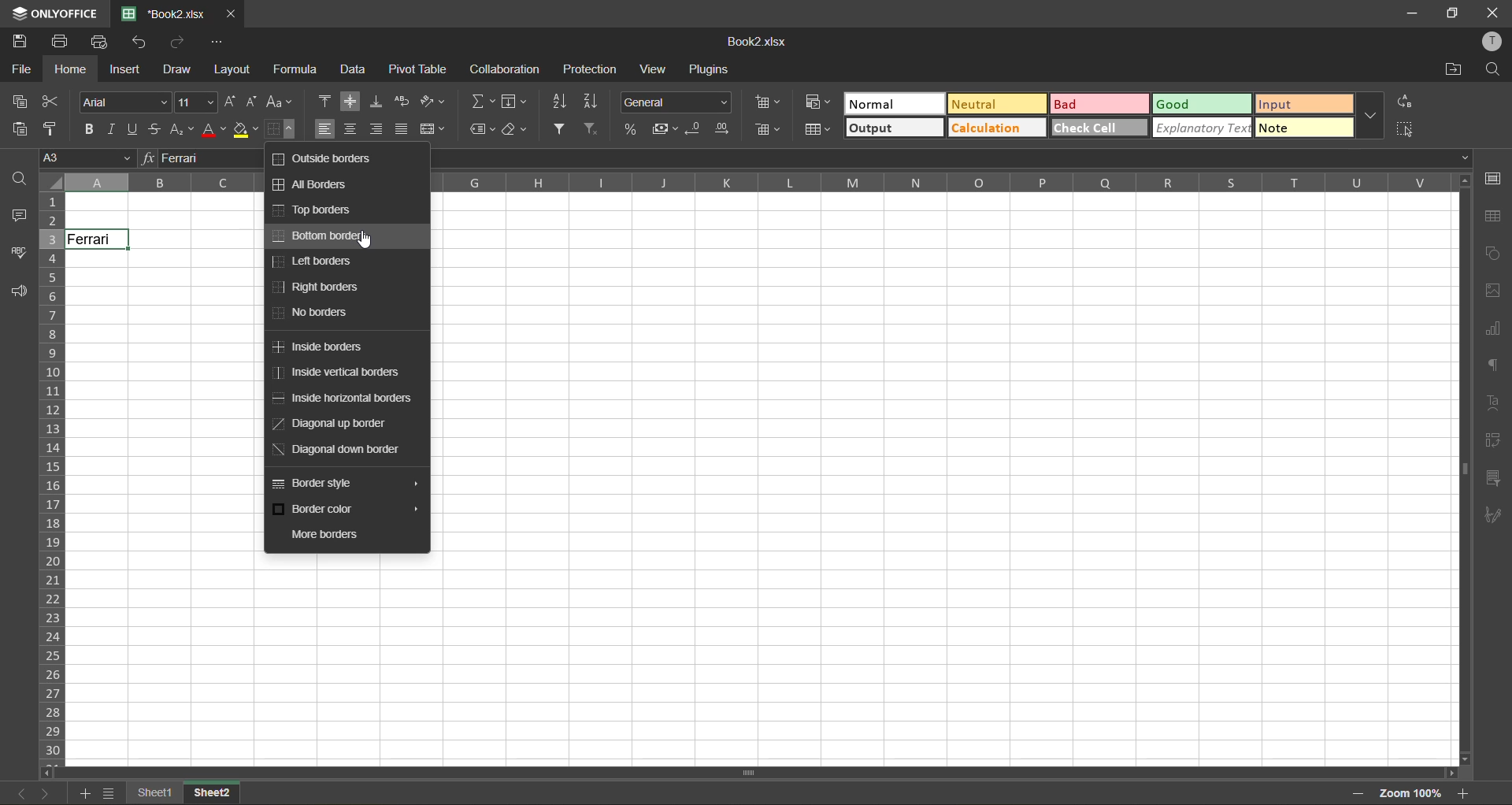  What do you see at coordinates (374, 103) in the screenshot?
I see `align bottom` at bounding box center [374, 103].